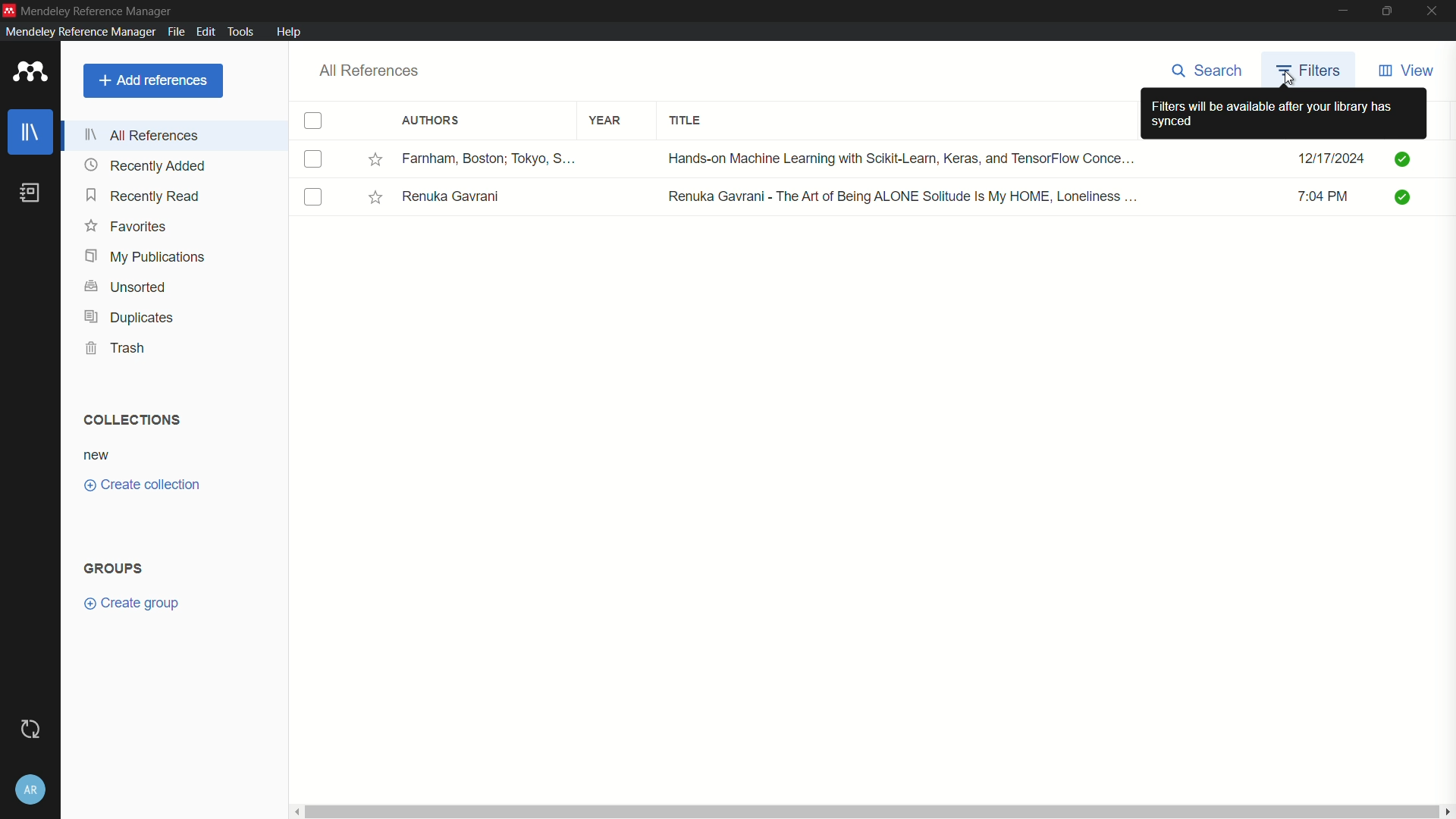 Image resolution: width=1456 pixels, height=819 pixels. Describe the element at coordinates (1387, 11) in the screenshot. I see `maximize` at that location.